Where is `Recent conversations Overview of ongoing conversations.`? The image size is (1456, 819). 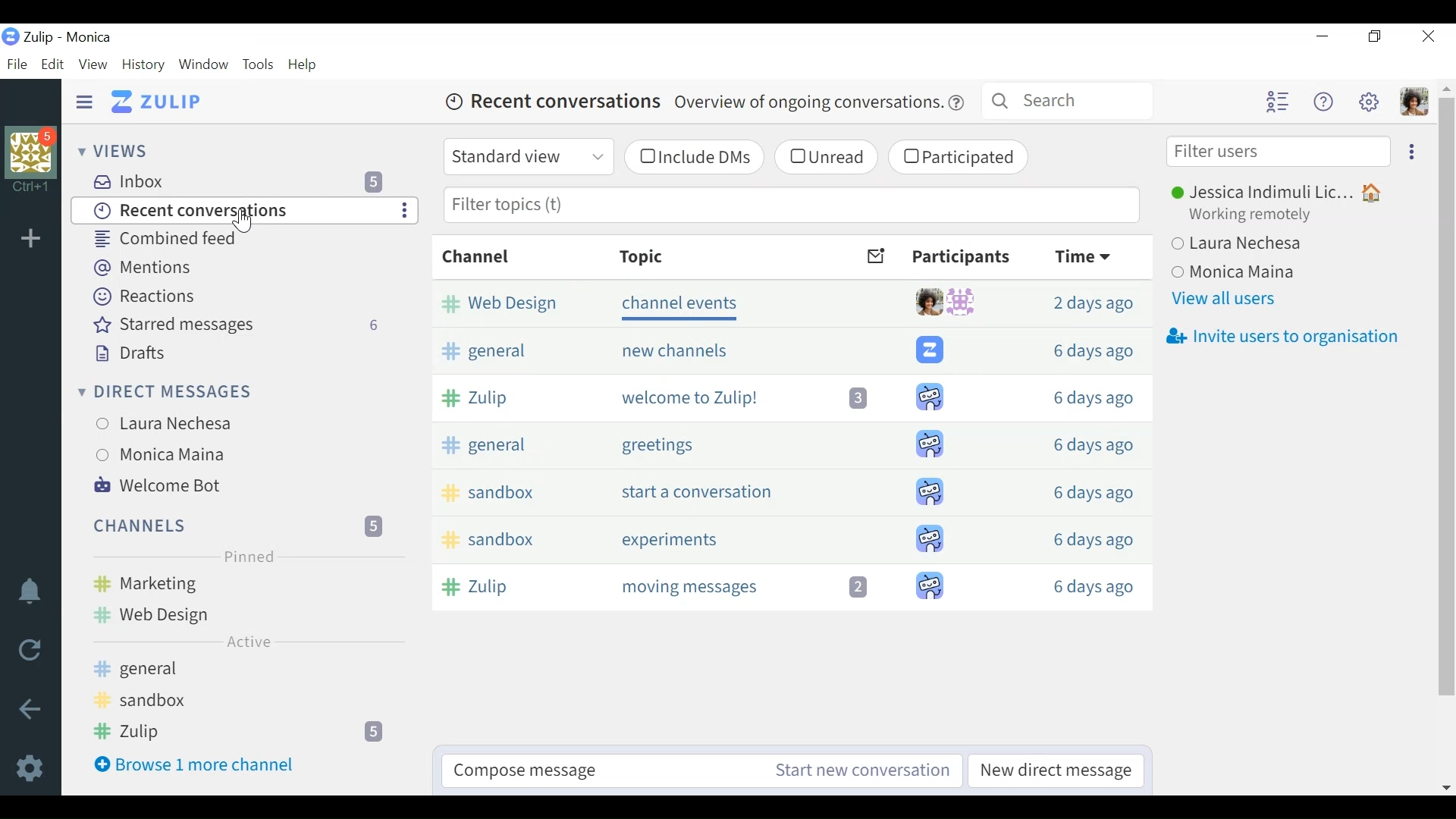 Recent conversations Overview of ongoing conversations. is located at coordinates (686, 104).